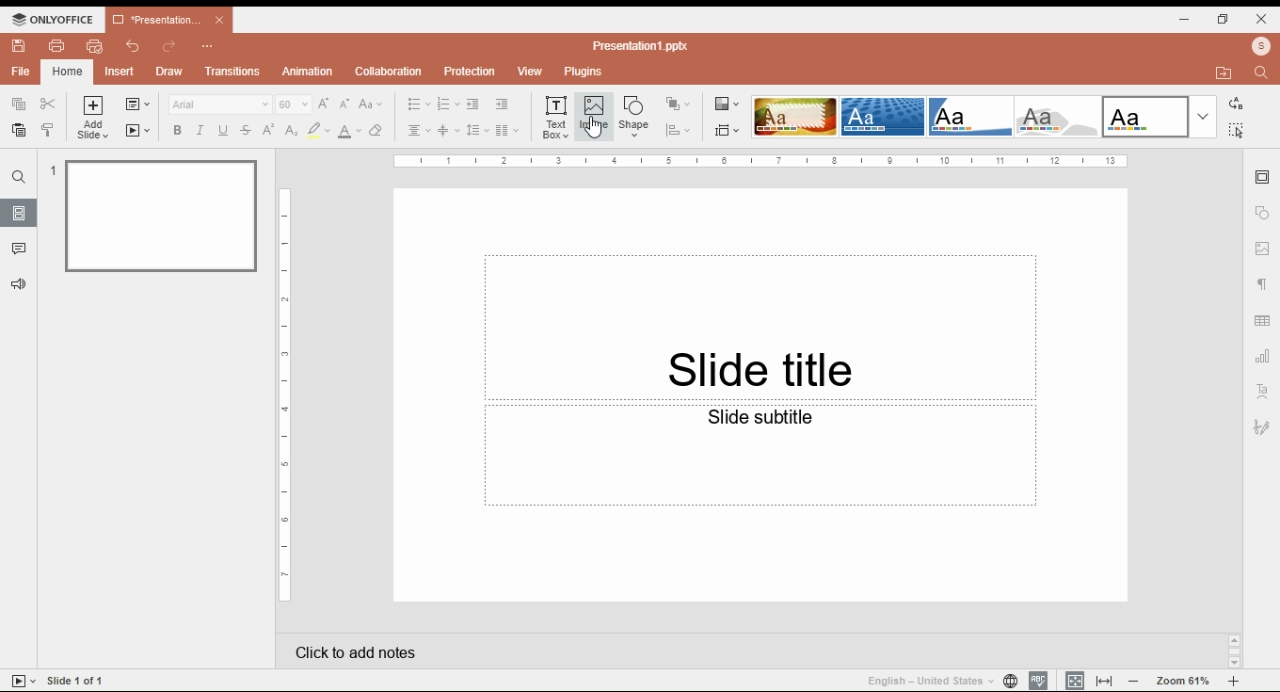 Image resolution: width=1280 pixels, height=692 pixels. What do you see at coordinates (246, 130) in the screenshot?
I see `strikethrough` at bounding box center [246, 130].